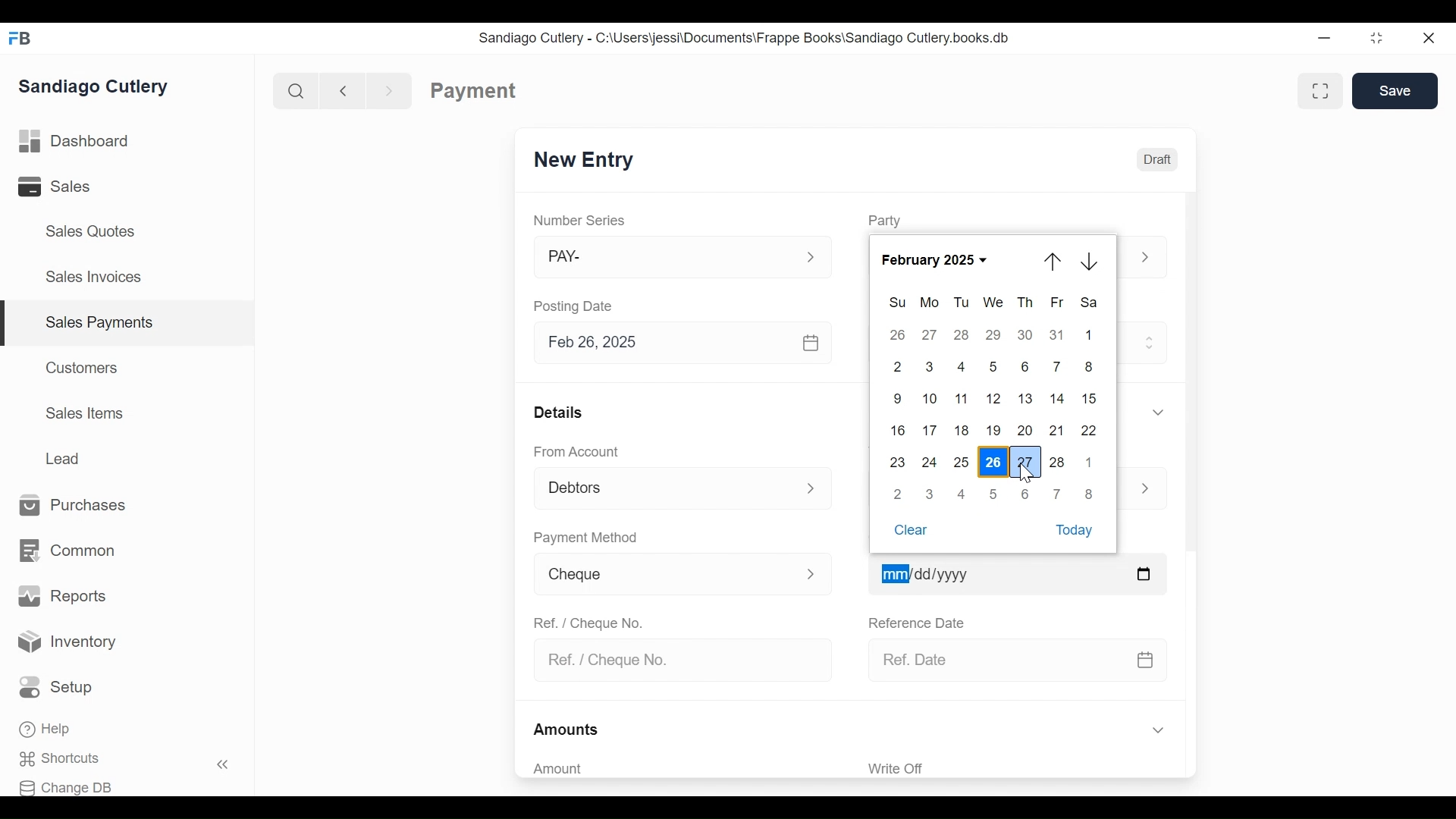 The height and width of the screenshot is (819, 1456). What do you see at coordinates (1058, 430) in the screenshot?
I see `21` at bounding box center [1058, 430].